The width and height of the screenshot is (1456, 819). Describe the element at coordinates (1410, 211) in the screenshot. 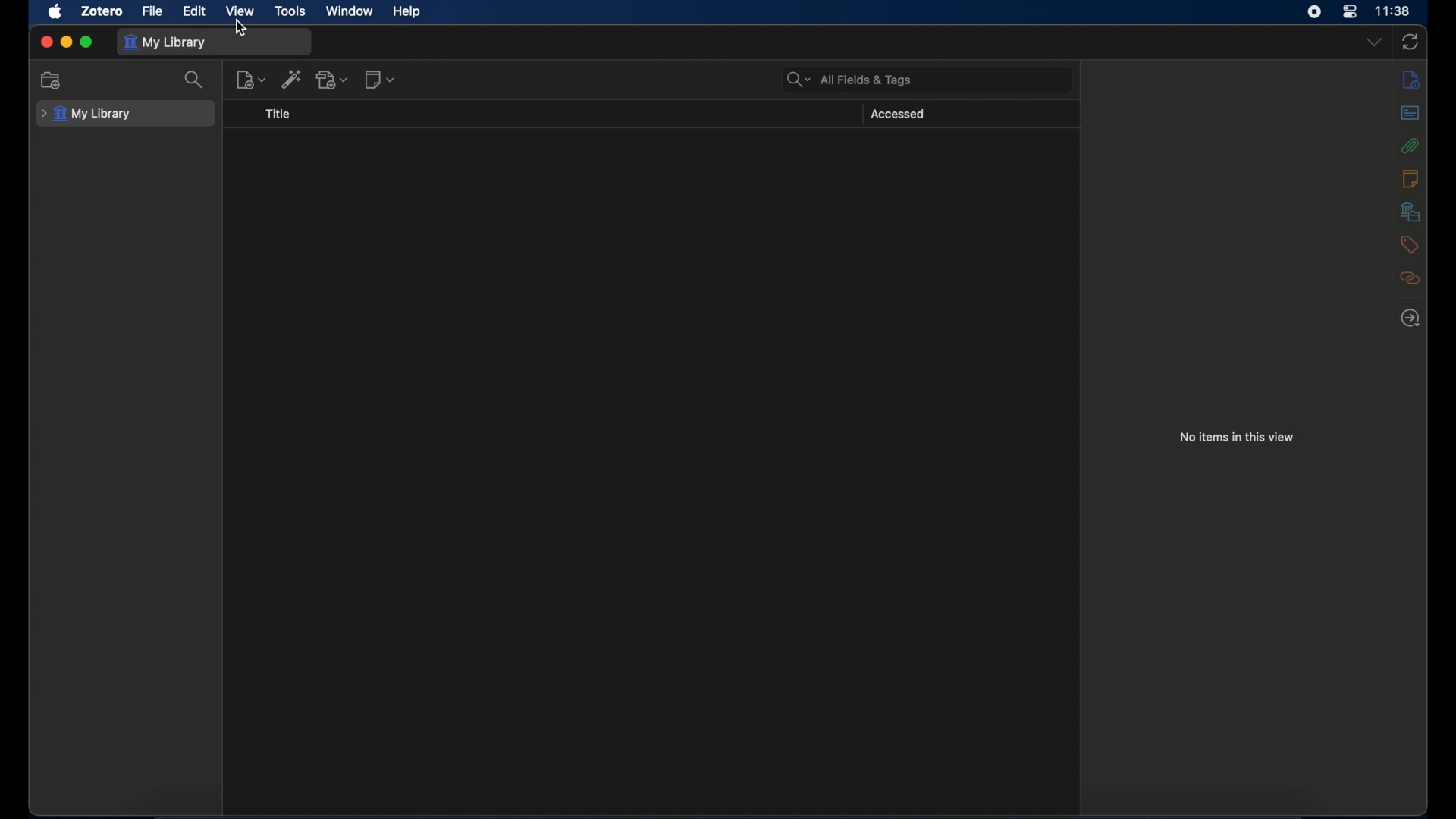

I see `libraries` at that location.